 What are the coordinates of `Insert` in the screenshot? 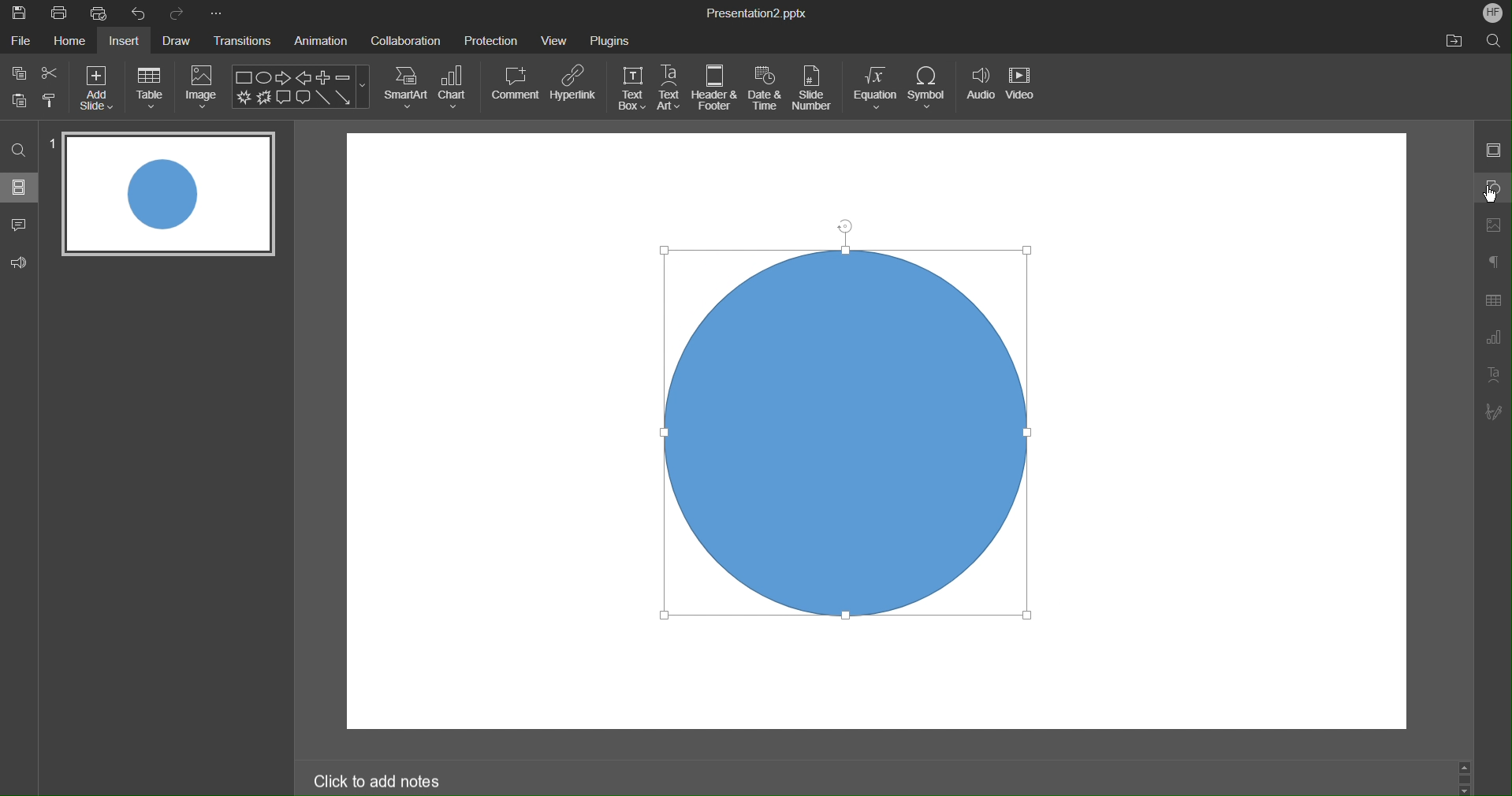 It's located at (128, 42).